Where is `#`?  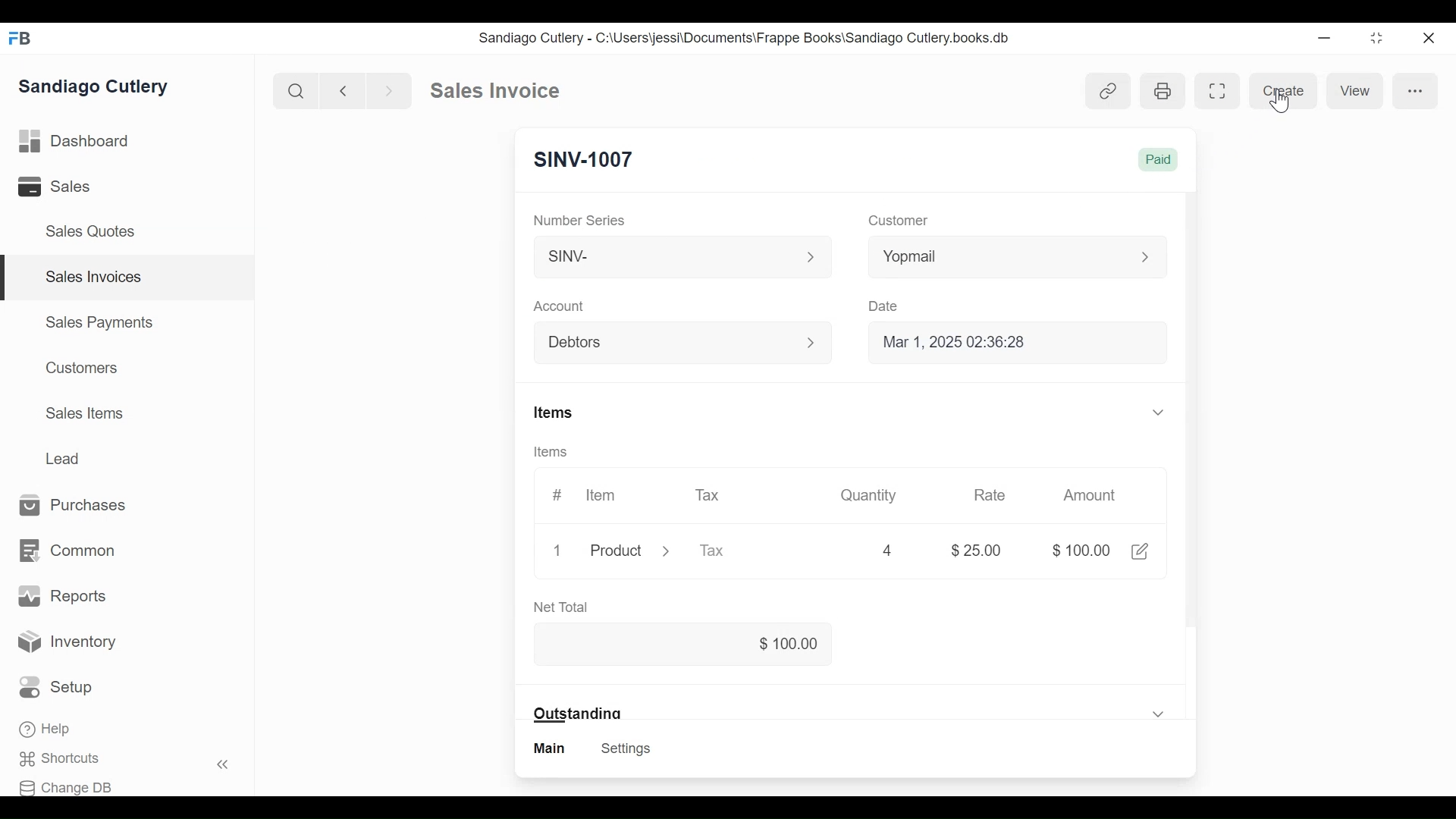
# is located at coordinates (557, 495).